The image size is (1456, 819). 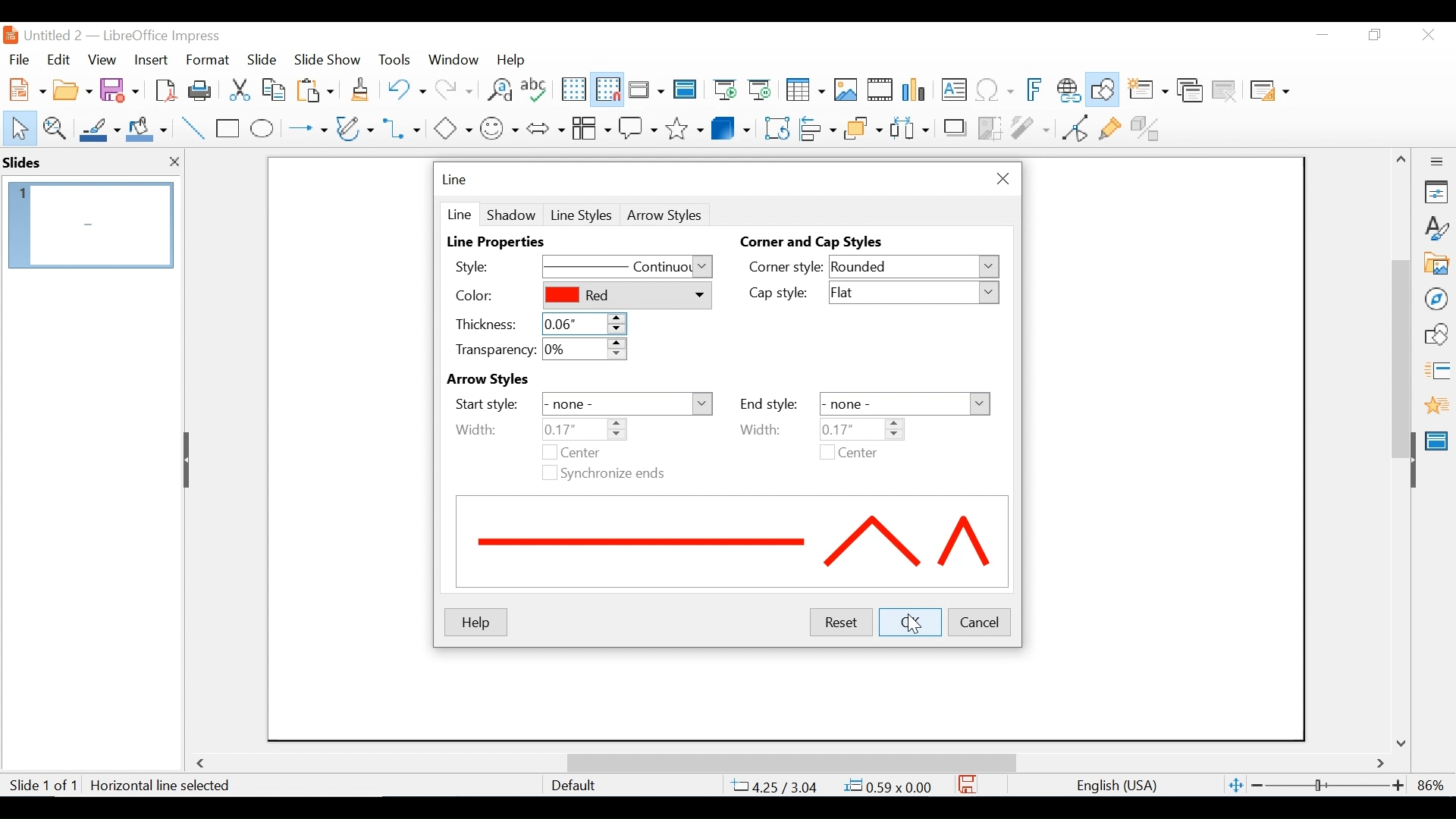 I want to click on Synchronize, so click(x=615, y=474).